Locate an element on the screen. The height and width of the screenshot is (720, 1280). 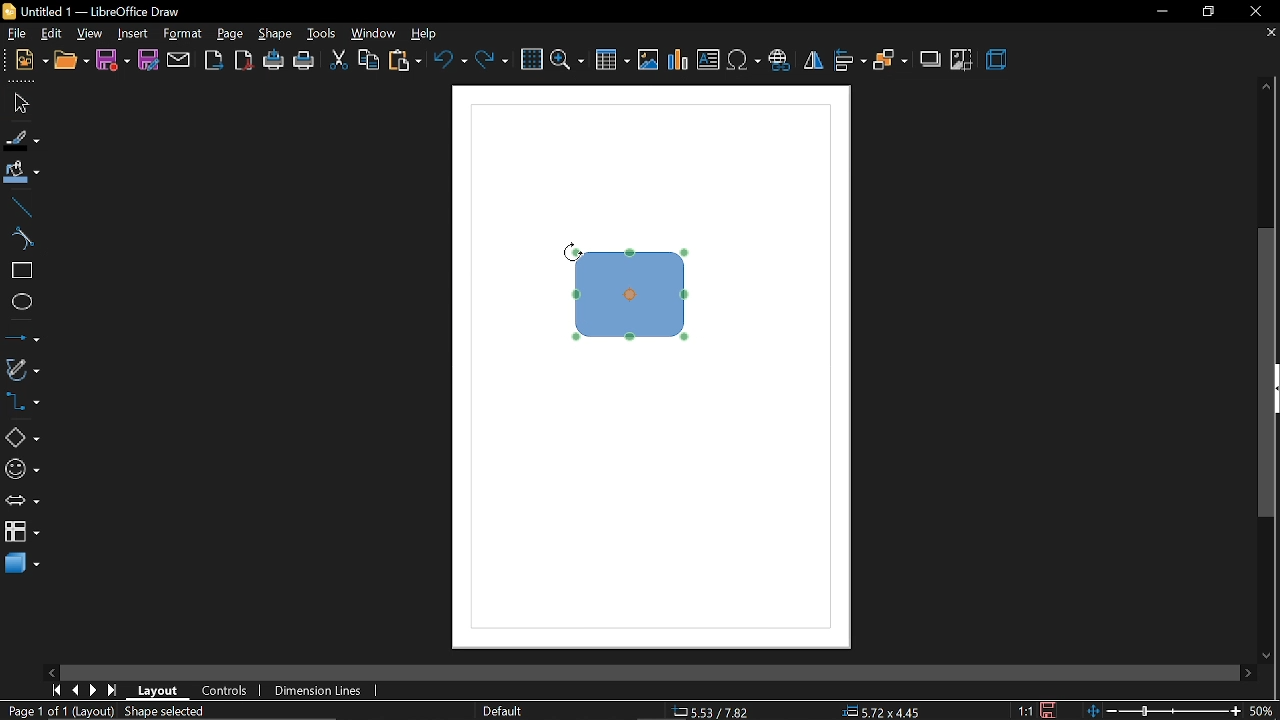
flip is located at coordinates (813, 60).